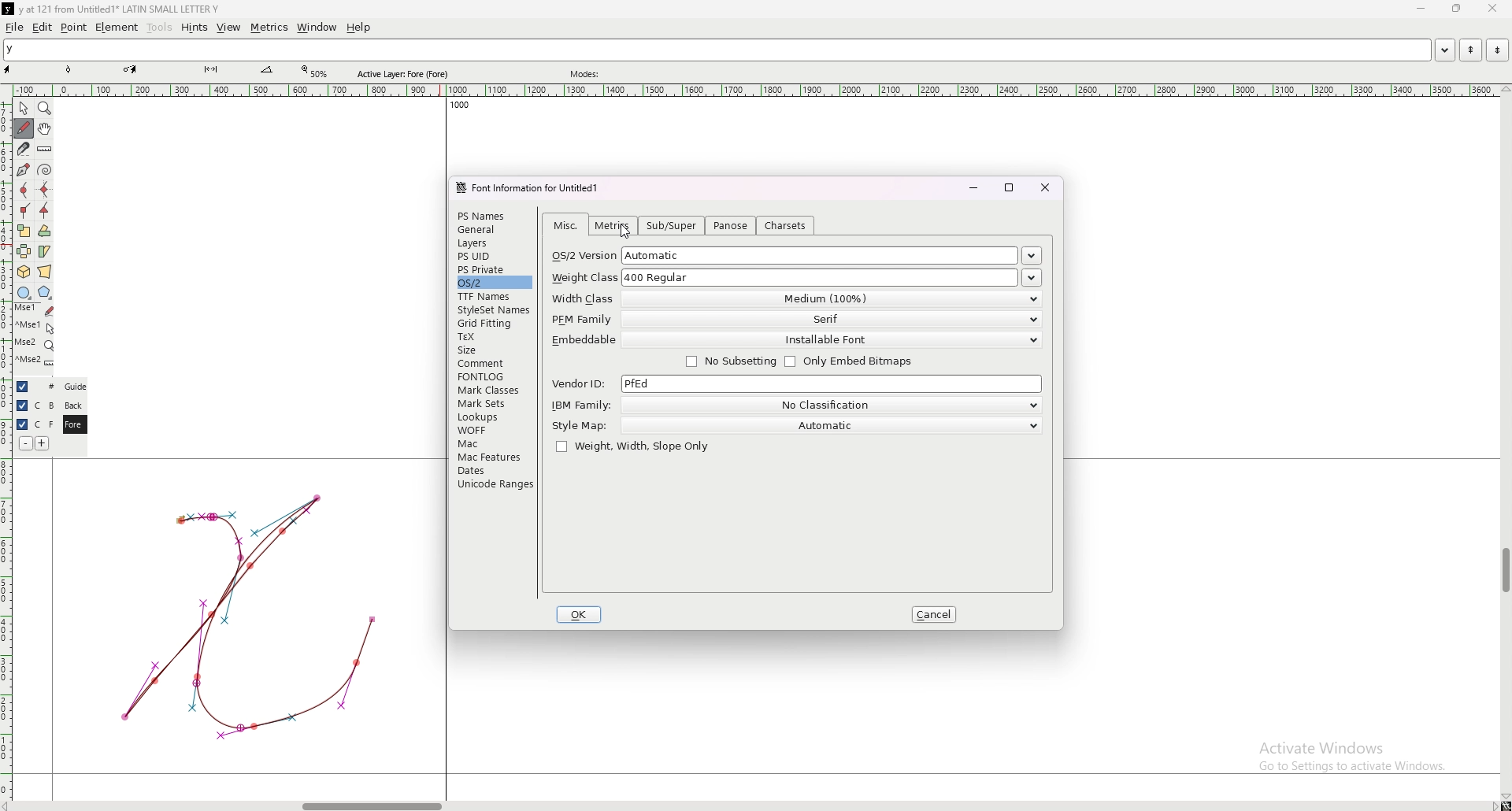  I want to click on polygon or star, so click(45, 293).